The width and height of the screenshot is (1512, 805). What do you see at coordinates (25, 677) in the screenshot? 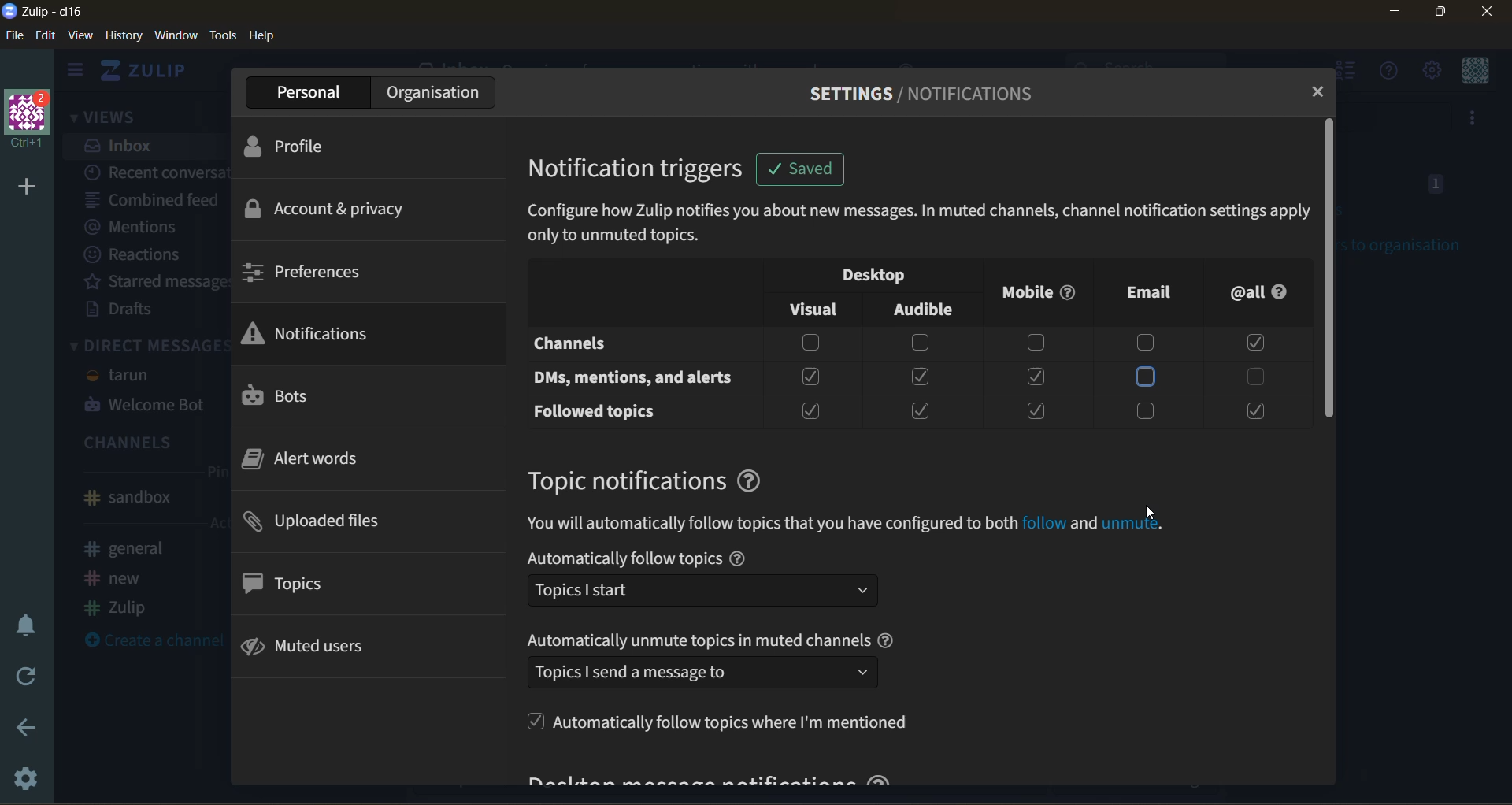
I see `reload` at bounding box center [25, 677].